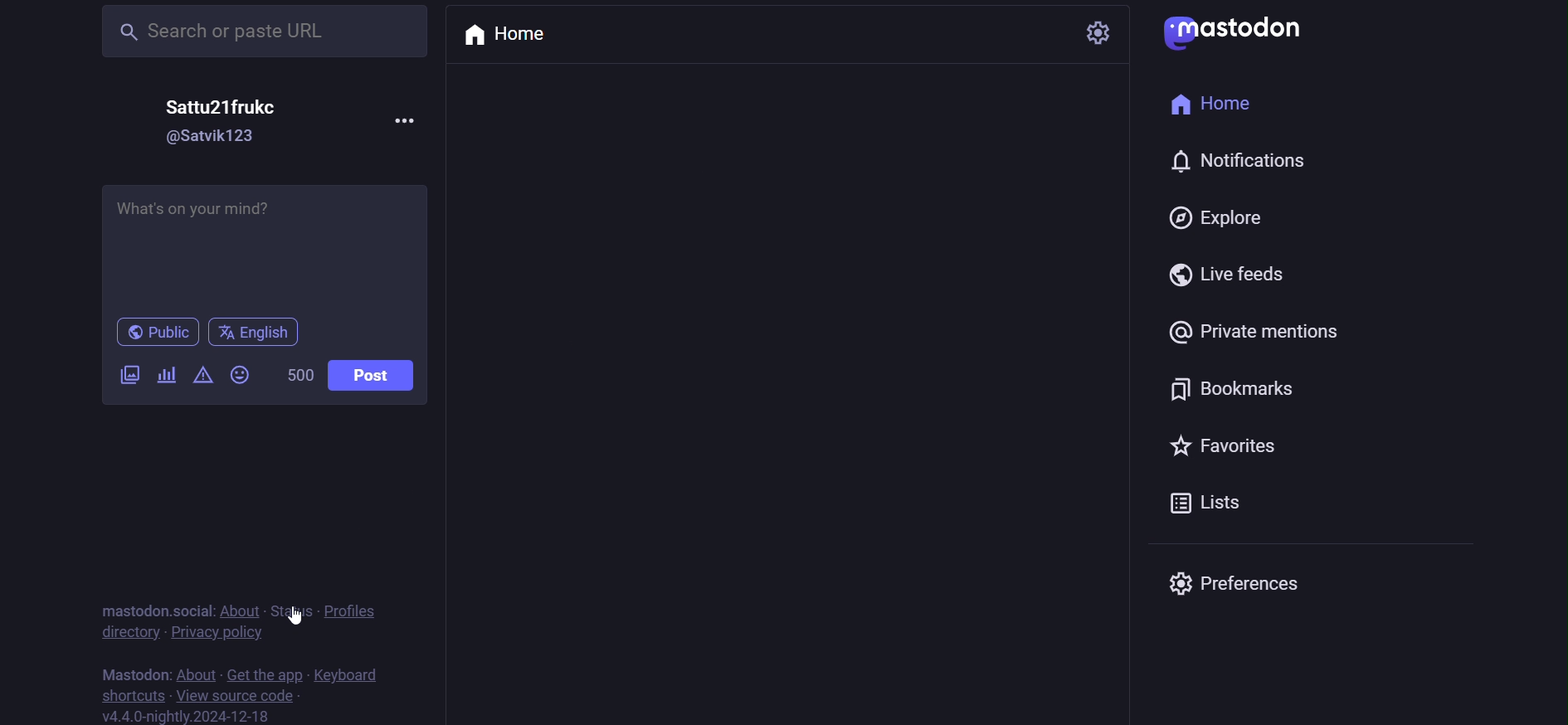  What do you see at coordinates (1238, 157) in the screenshot?
I see `notification` at bounding box center [1238, 157].